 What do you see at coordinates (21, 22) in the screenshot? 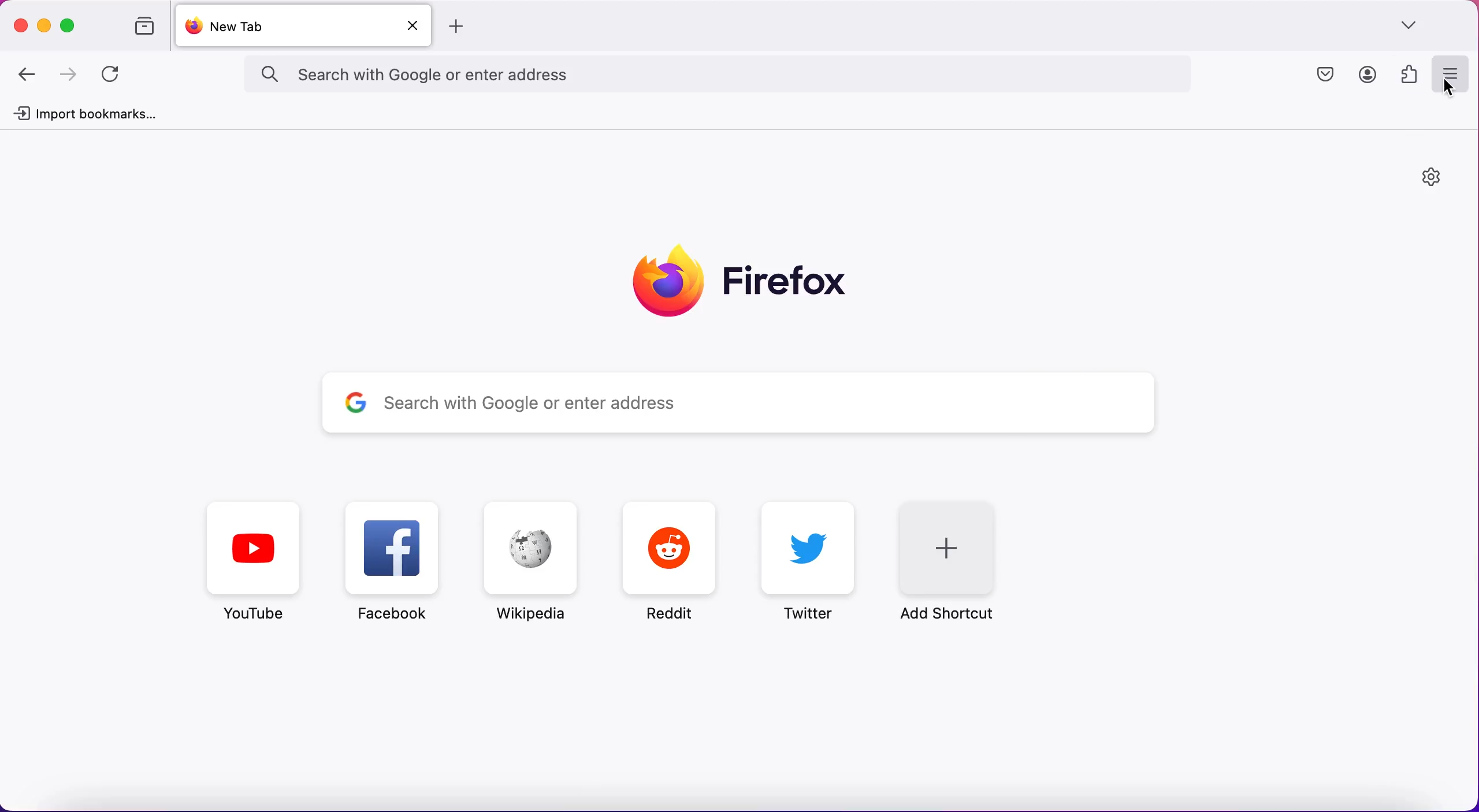
I see `close` at bounding box center [21, 22].